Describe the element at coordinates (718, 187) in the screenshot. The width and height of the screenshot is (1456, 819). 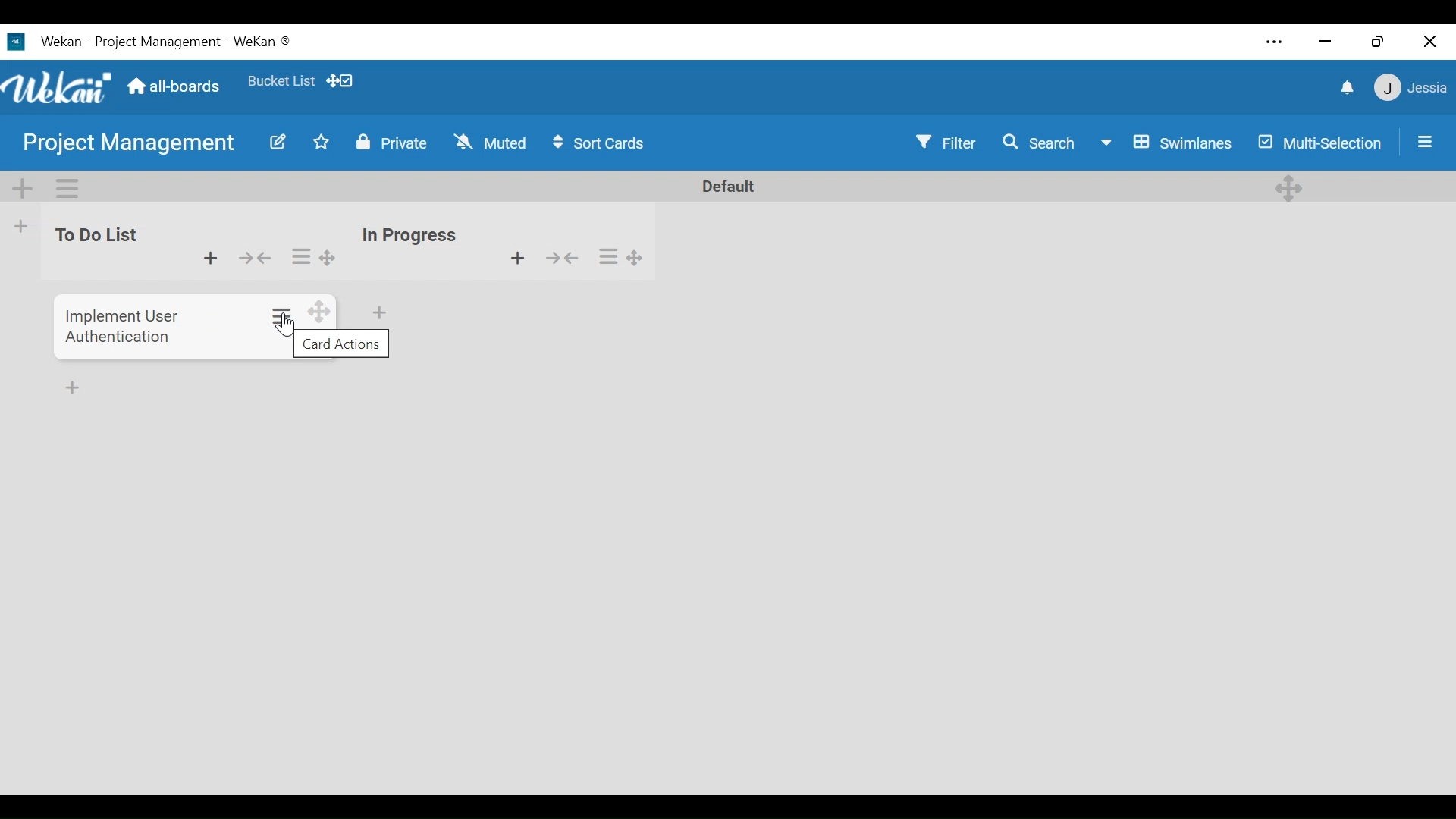
I see `default` at that location.